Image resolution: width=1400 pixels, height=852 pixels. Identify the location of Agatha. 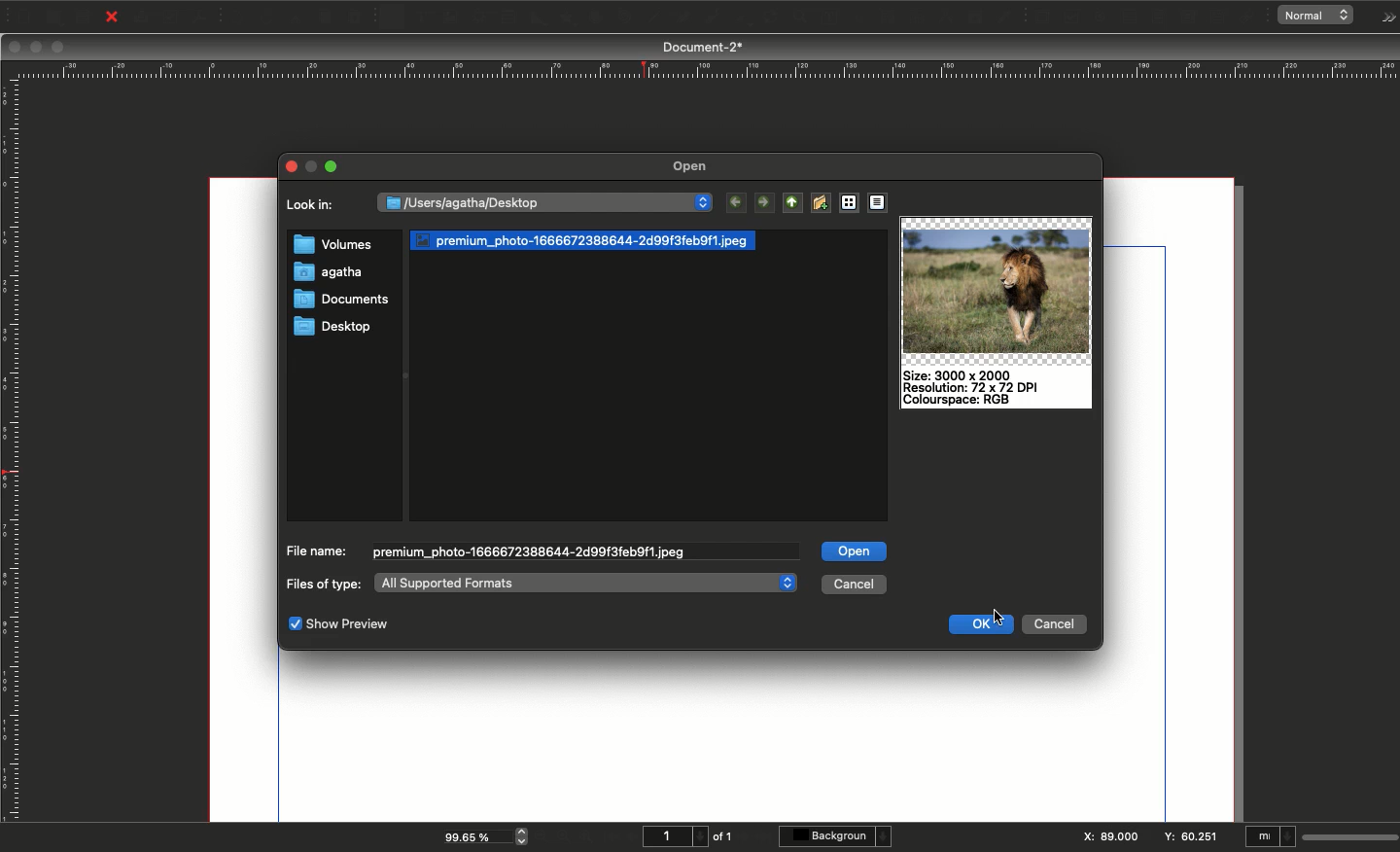
(328, 273).